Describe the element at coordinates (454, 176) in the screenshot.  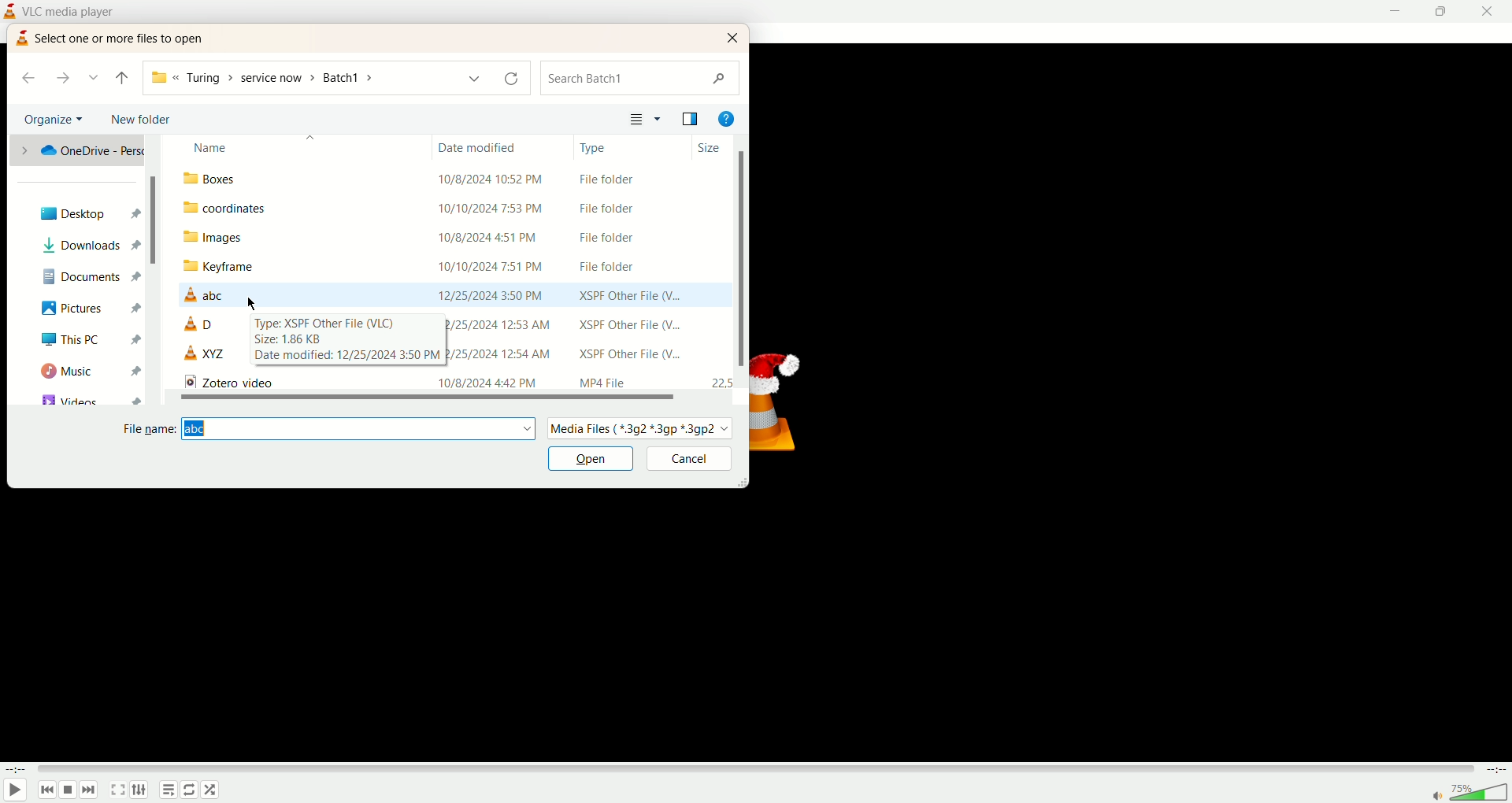
I see `folder` at that location.